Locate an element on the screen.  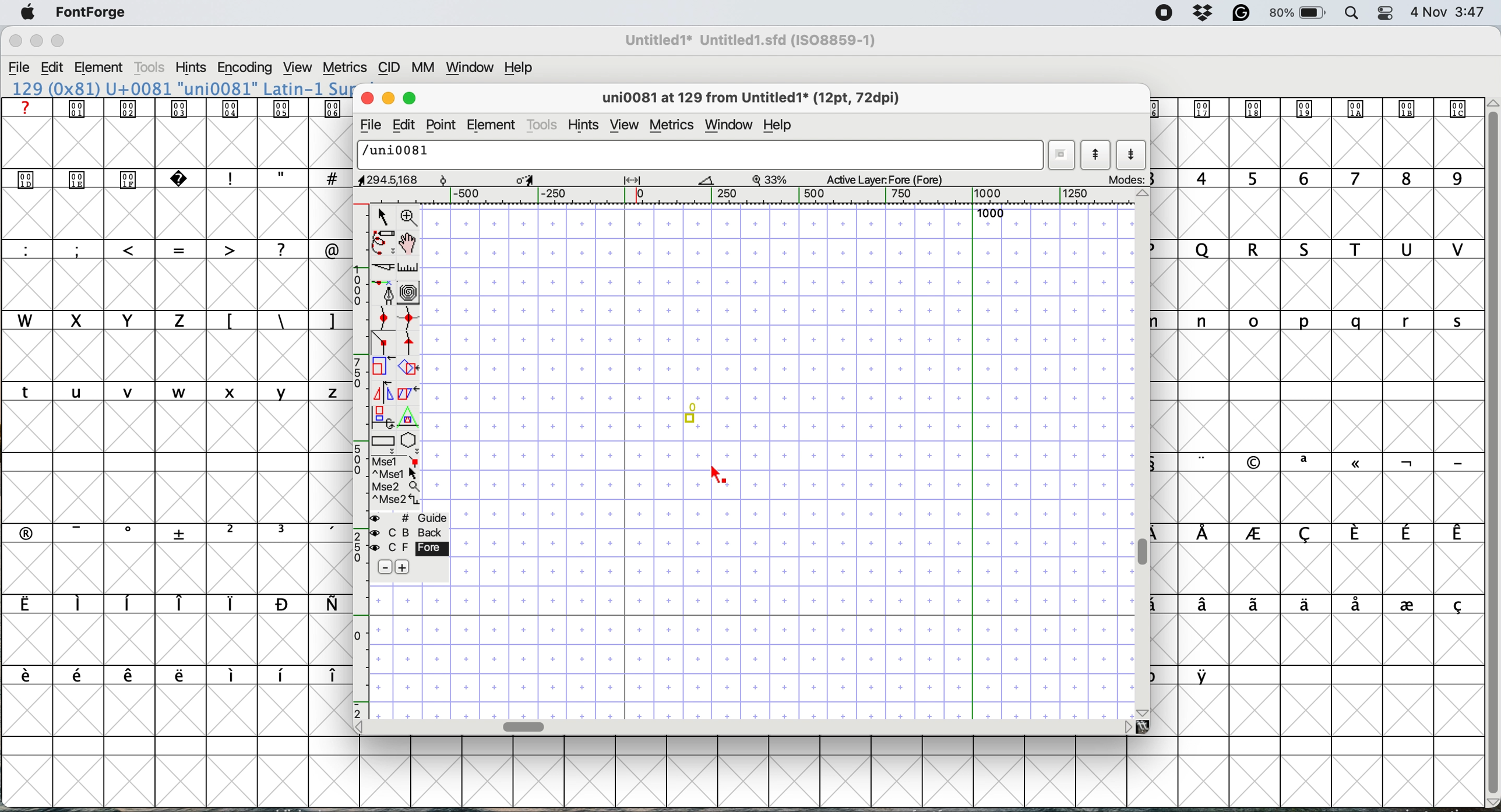
add a curve point horizontal or vertical is located at coordinates (408, 320).